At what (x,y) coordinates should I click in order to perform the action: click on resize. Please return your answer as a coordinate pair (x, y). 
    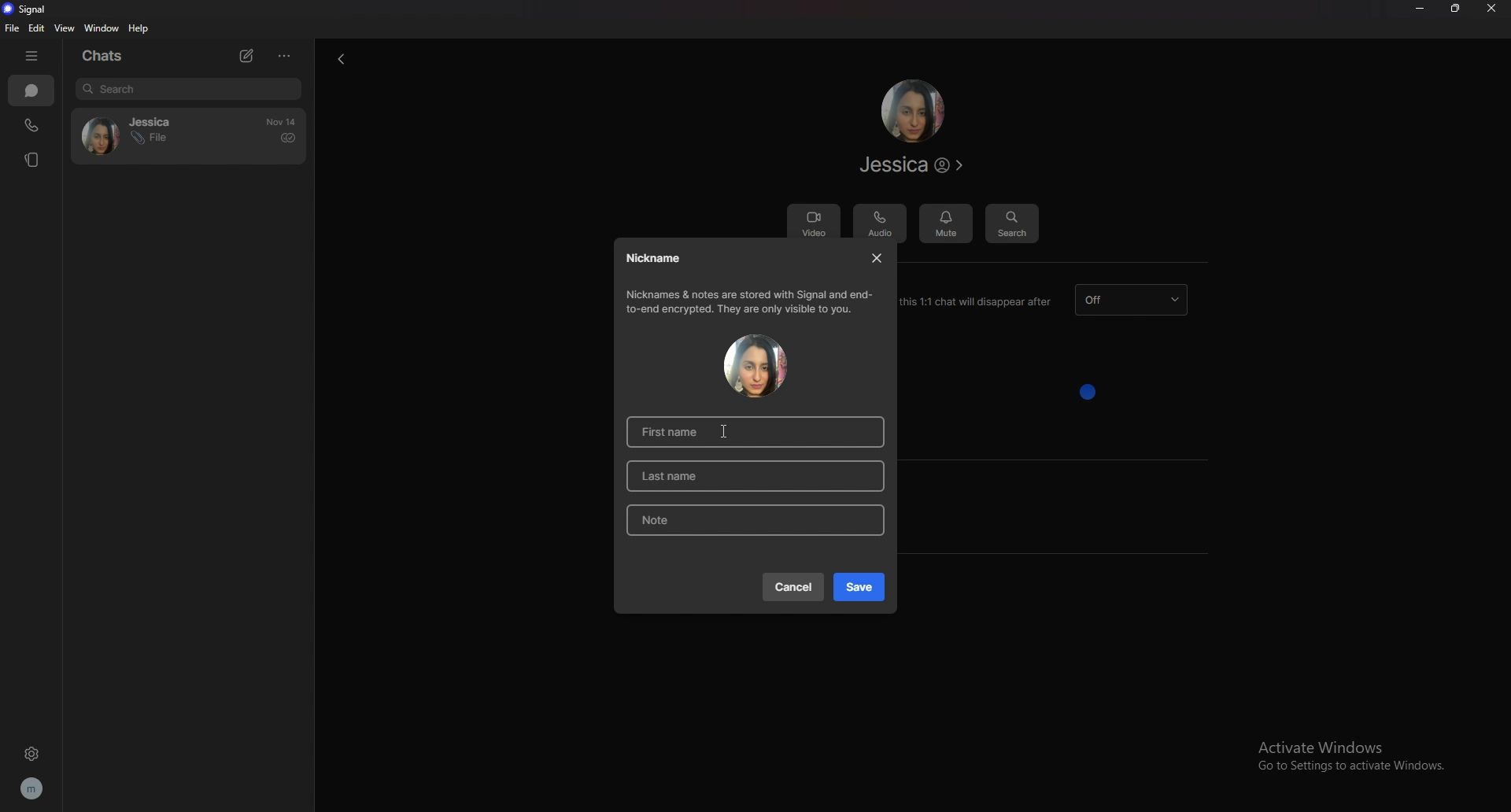
    Looking at the image, I should click on (1461, 10).